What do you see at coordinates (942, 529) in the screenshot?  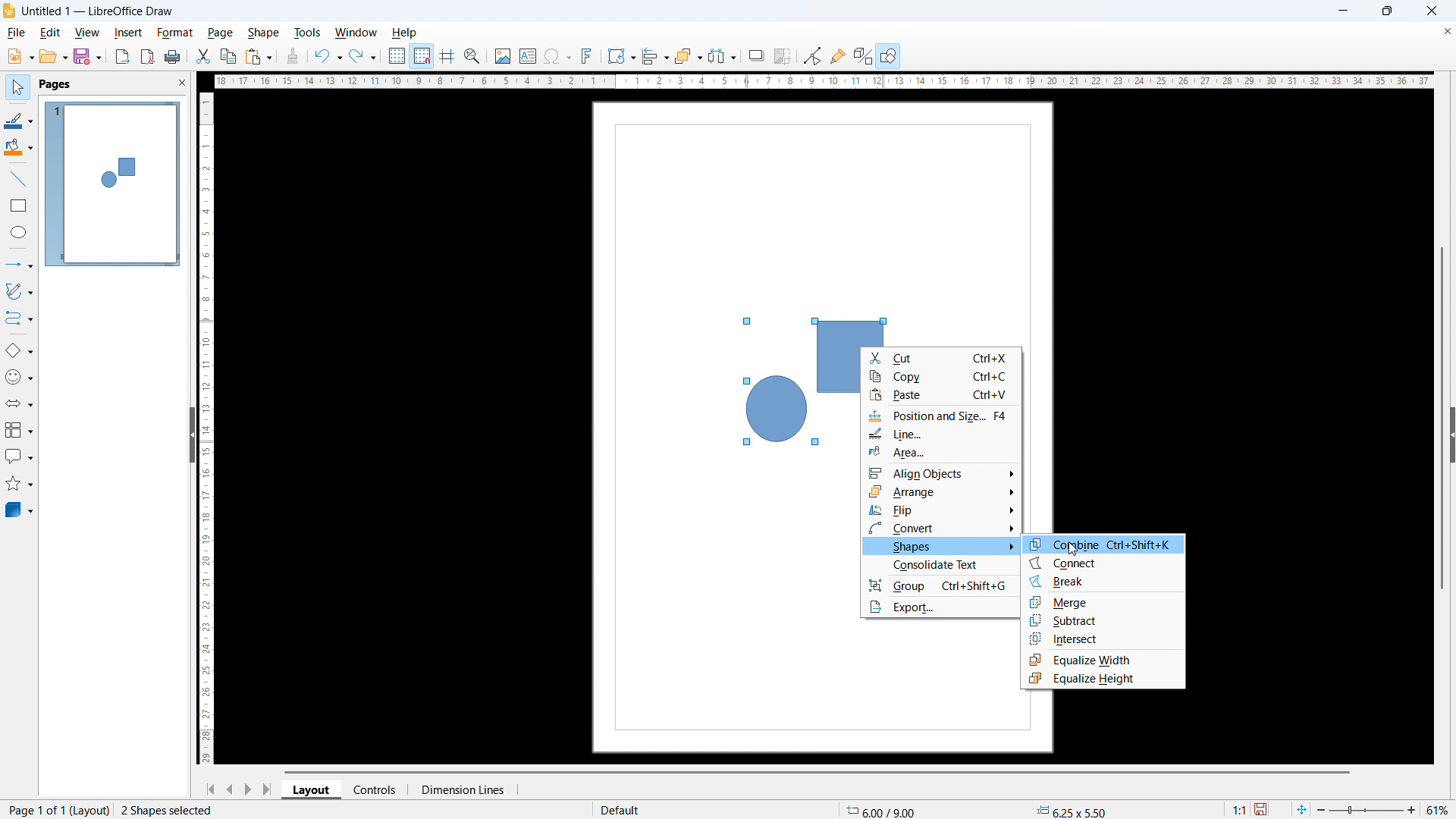 I see `convert` at bounding box center [942, 529].